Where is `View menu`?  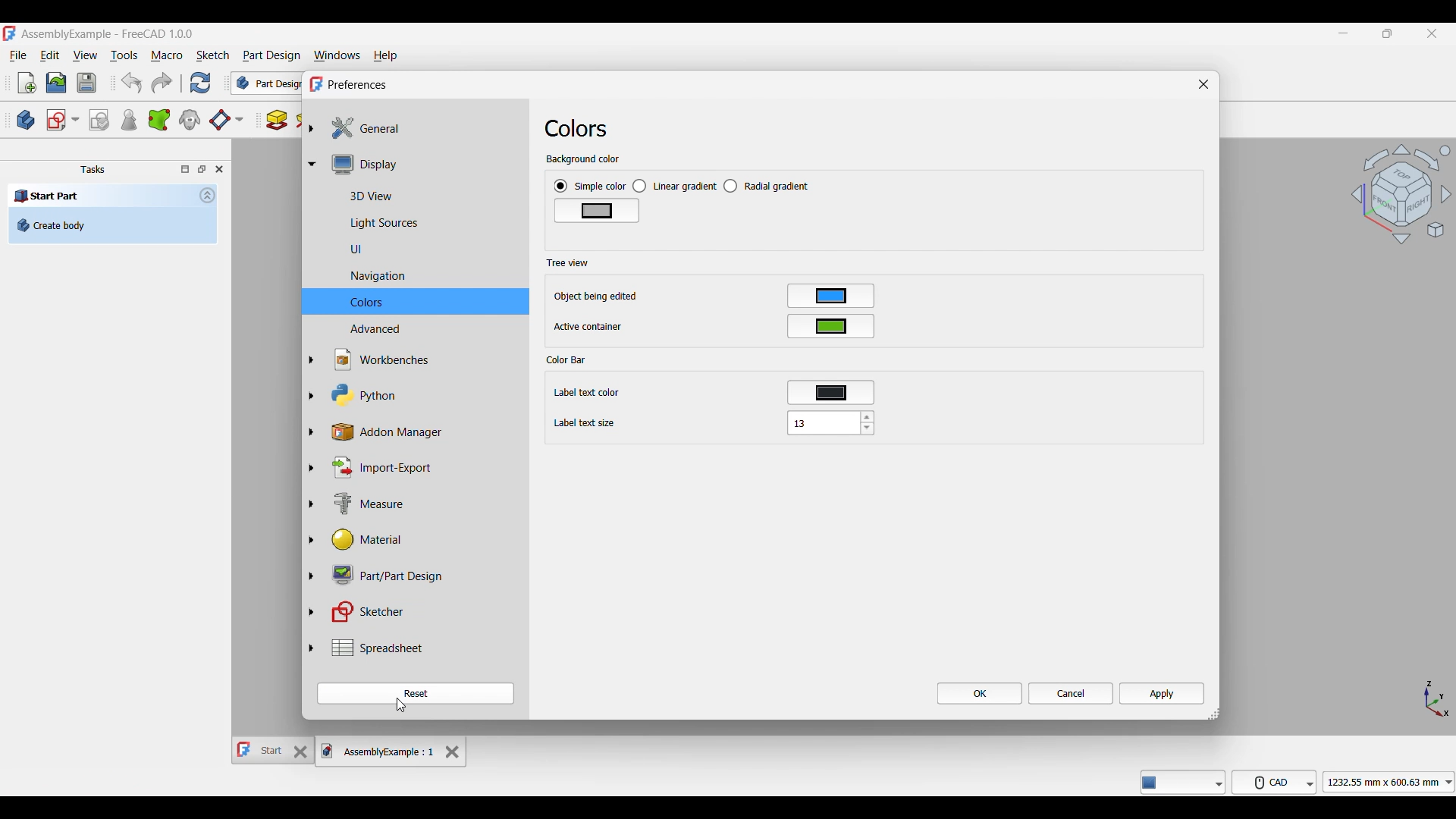
View menu is located at coordinates (85, 55).